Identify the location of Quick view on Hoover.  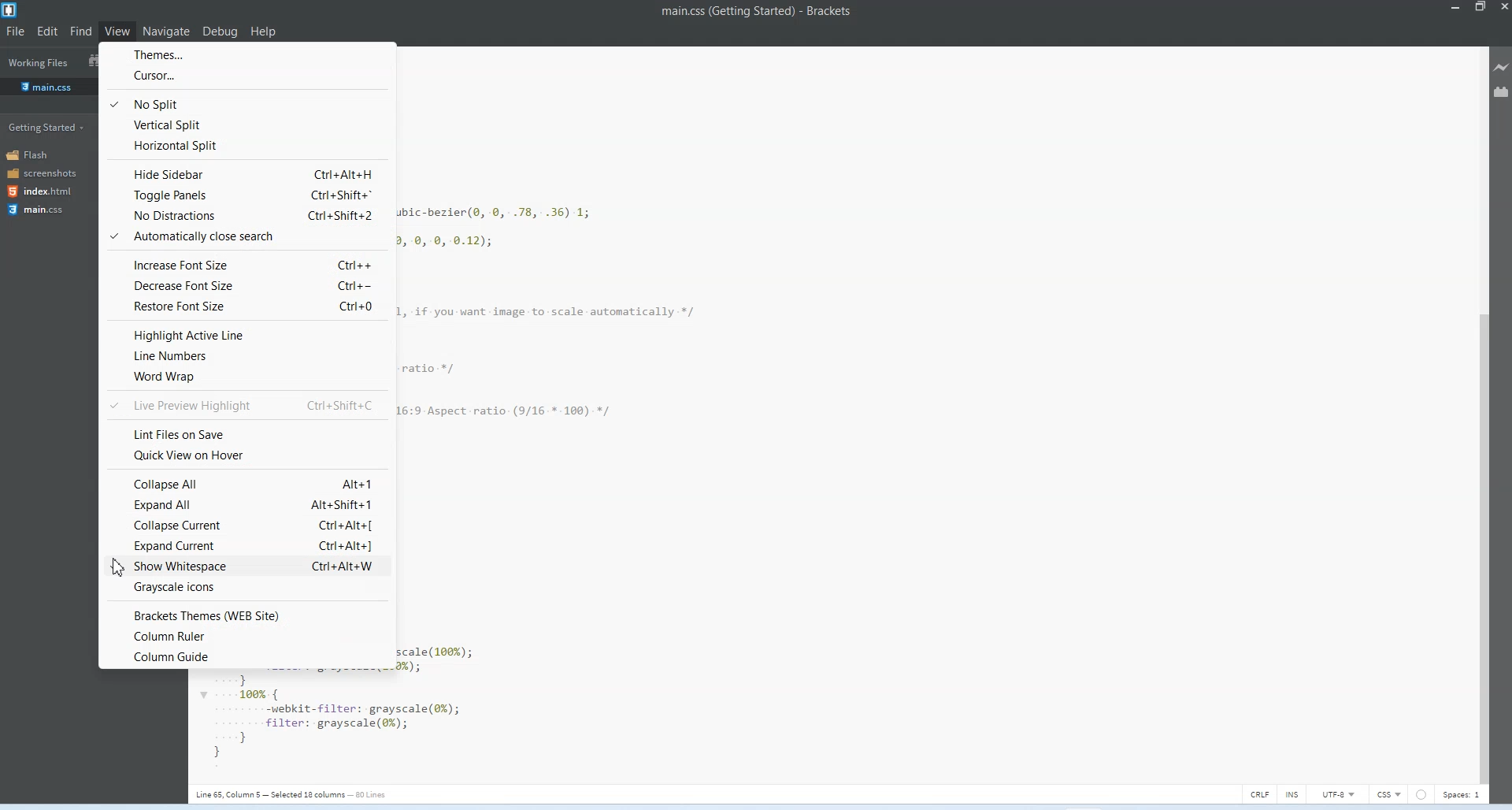
(245, 455).